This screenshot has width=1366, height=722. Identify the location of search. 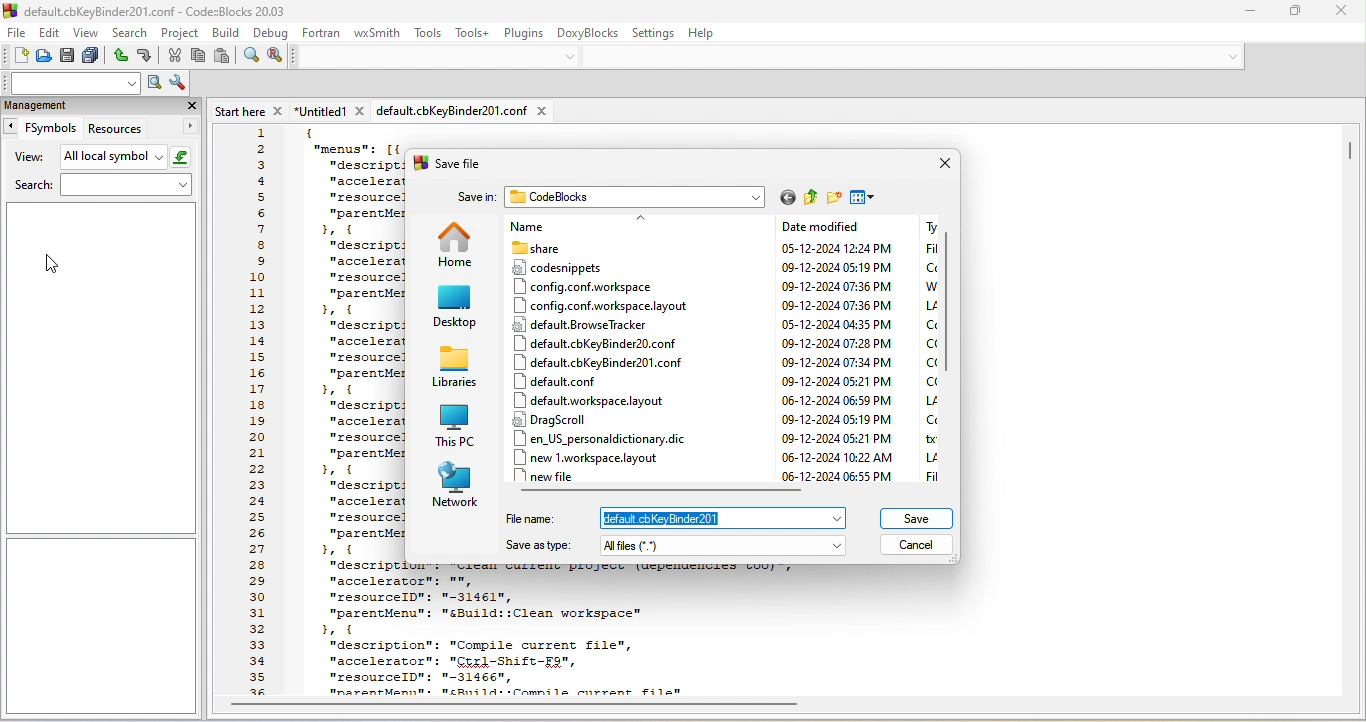
(130, 34).